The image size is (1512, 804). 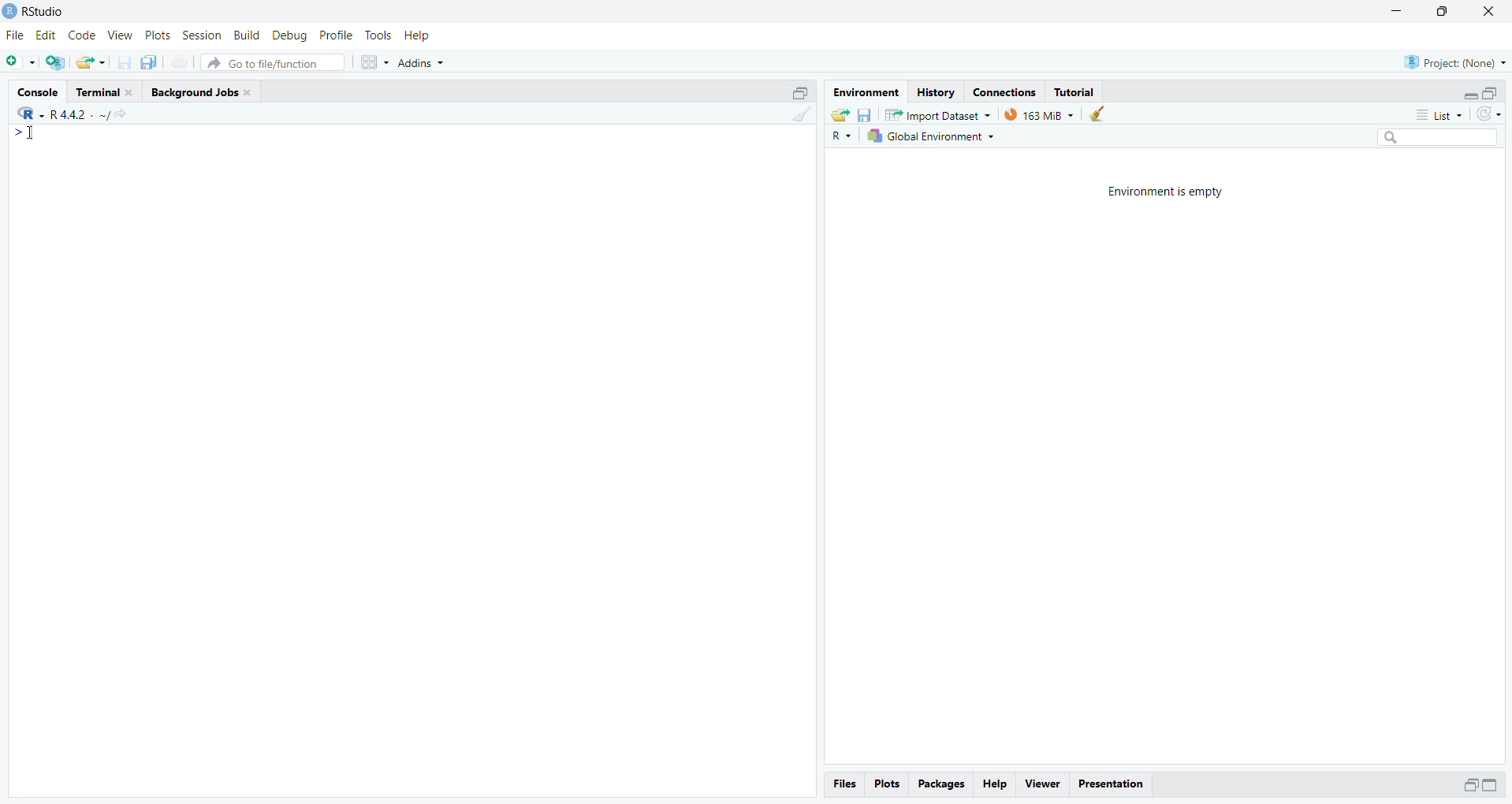 I want to click on Global Environment, so click(x=932, y=136).